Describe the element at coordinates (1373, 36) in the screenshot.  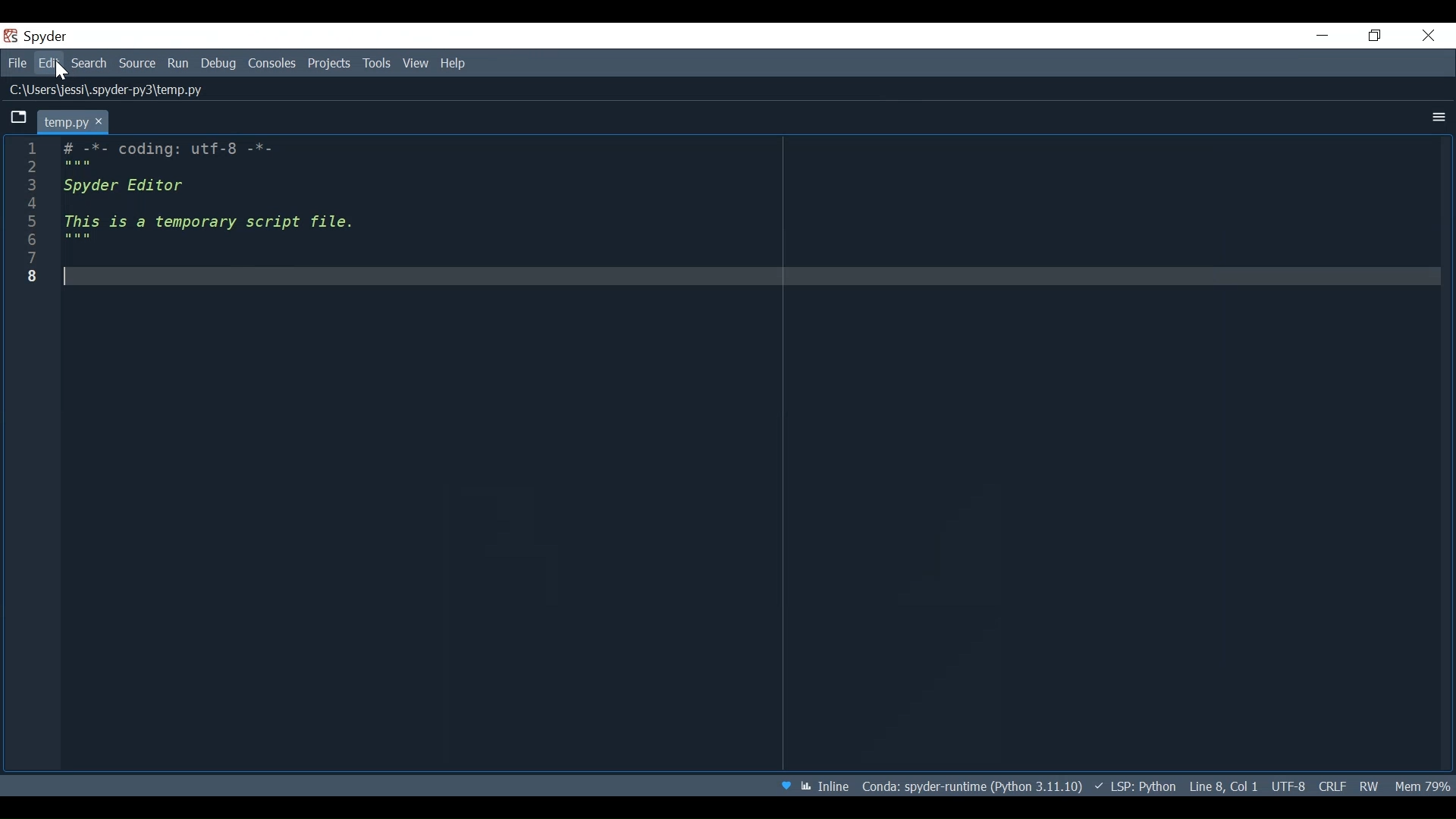
I see `Restore` at that location.